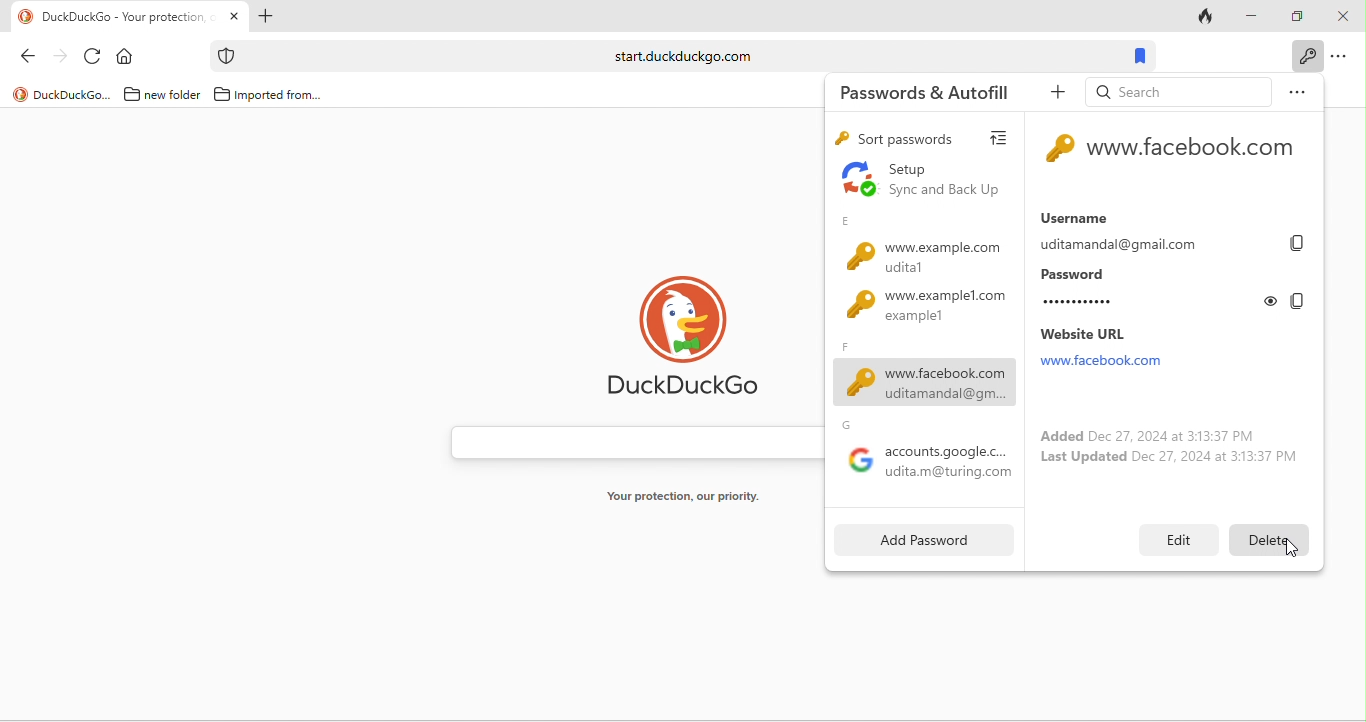 This screenshot has width=1366, height=722. Describe the element at coordinates (1305, 56) in the screenshot. I see `password and autofill` at that location.